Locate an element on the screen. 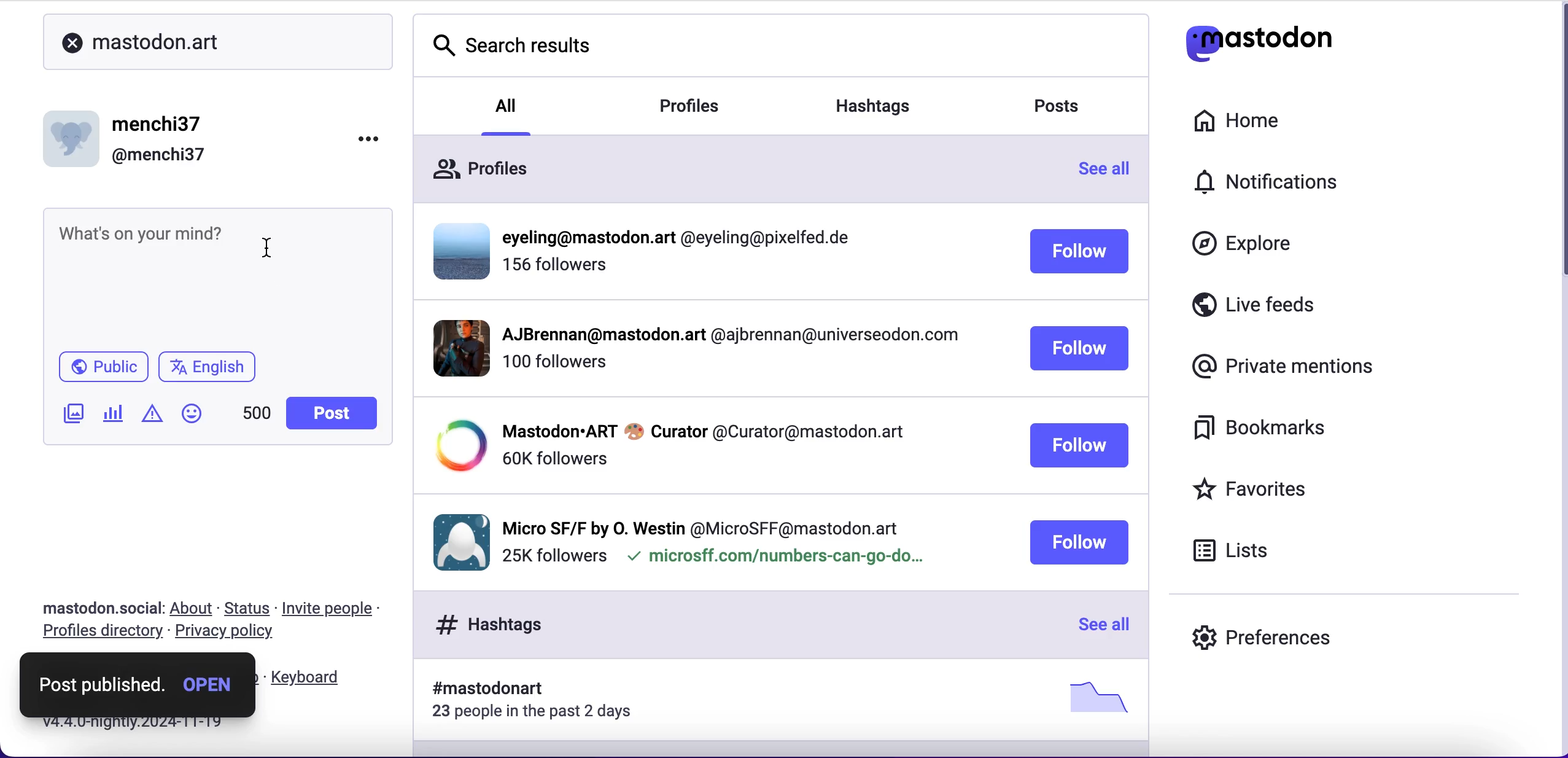  add image is located at coordinates (71, 415).